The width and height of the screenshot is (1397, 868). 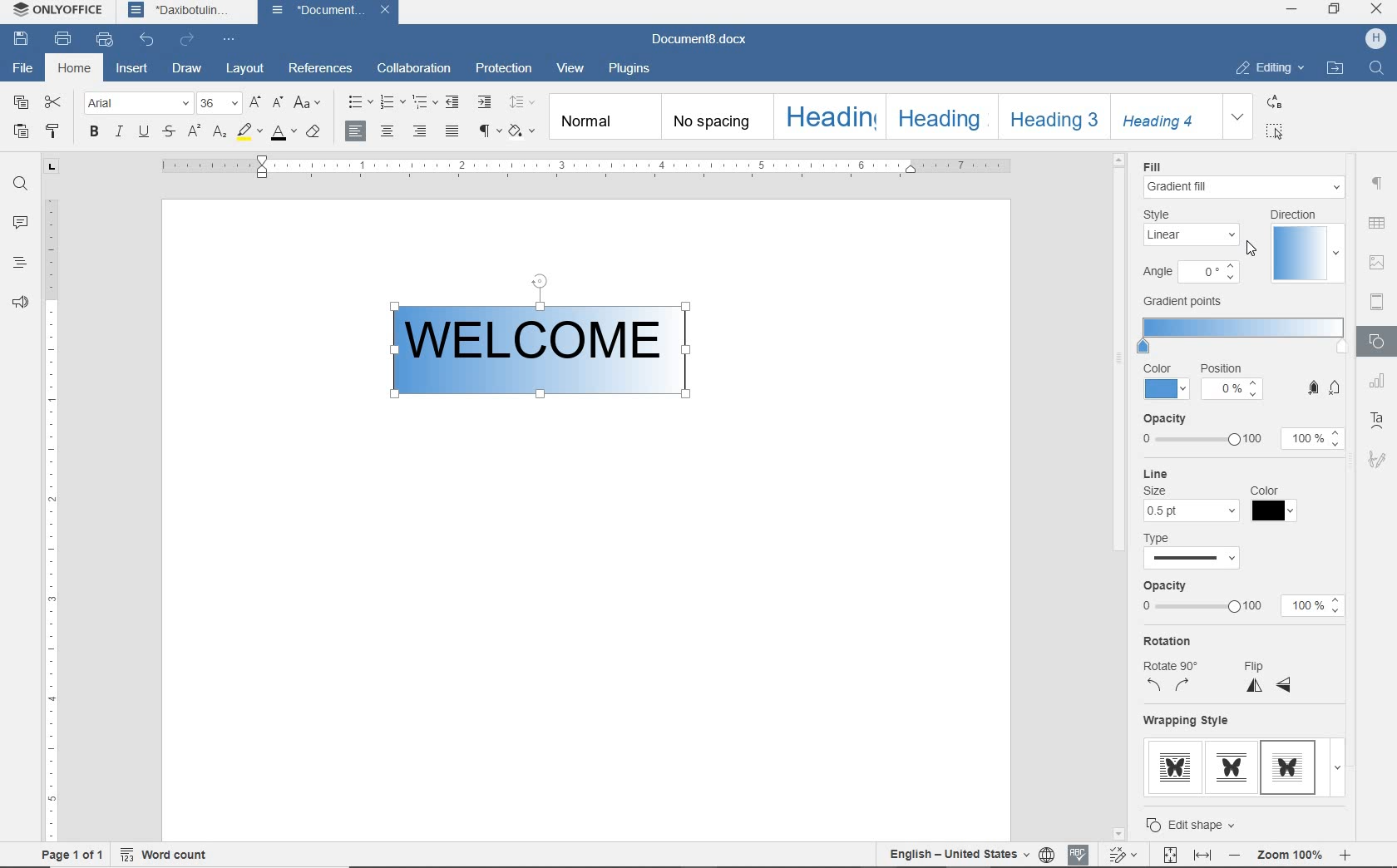 What do you see at coordinates (697, 40) in the screenshot?
I see `Document8.docx` at bounding box center [697, 40].